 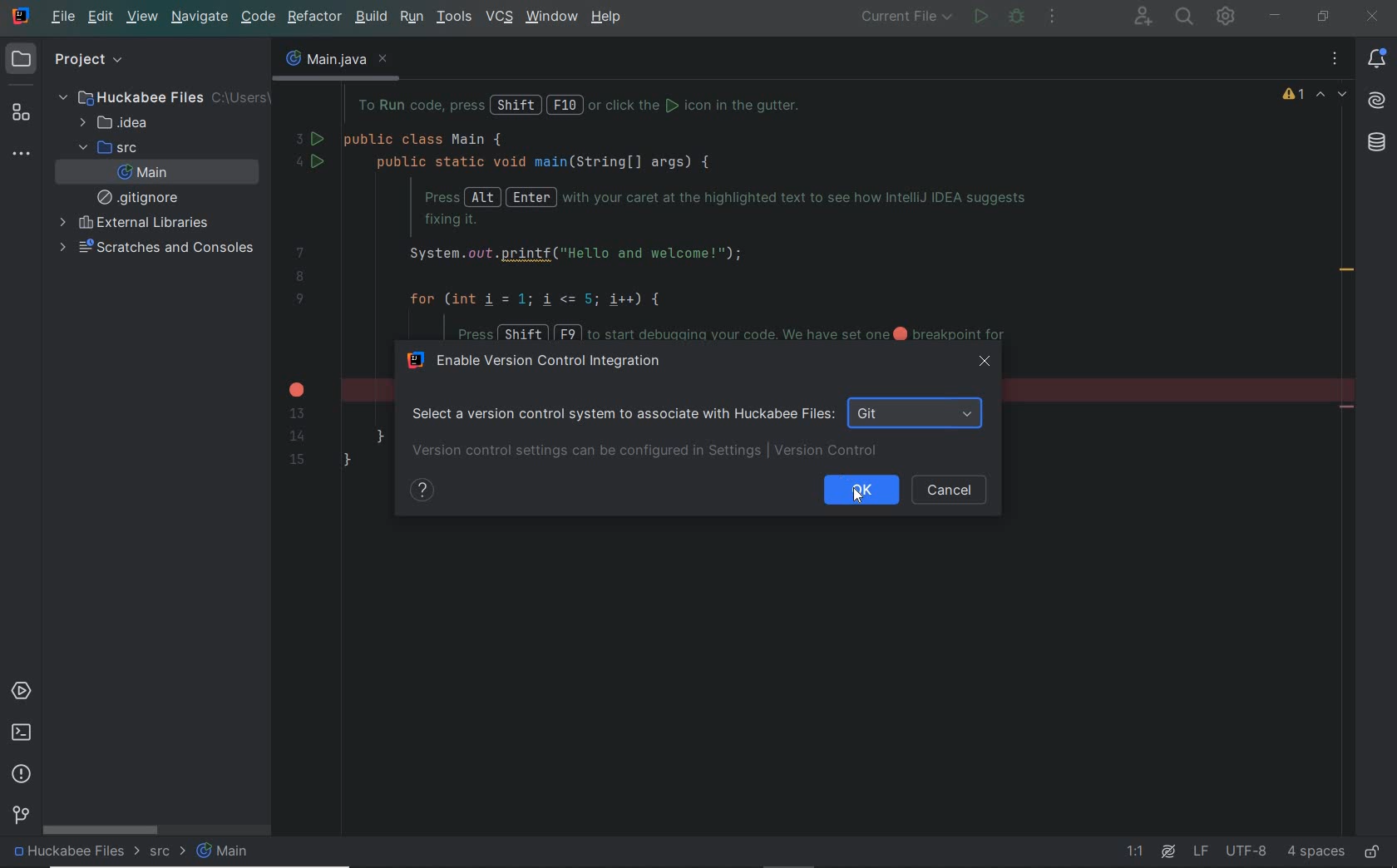 I want to click on file, so click(x=63, y=19).